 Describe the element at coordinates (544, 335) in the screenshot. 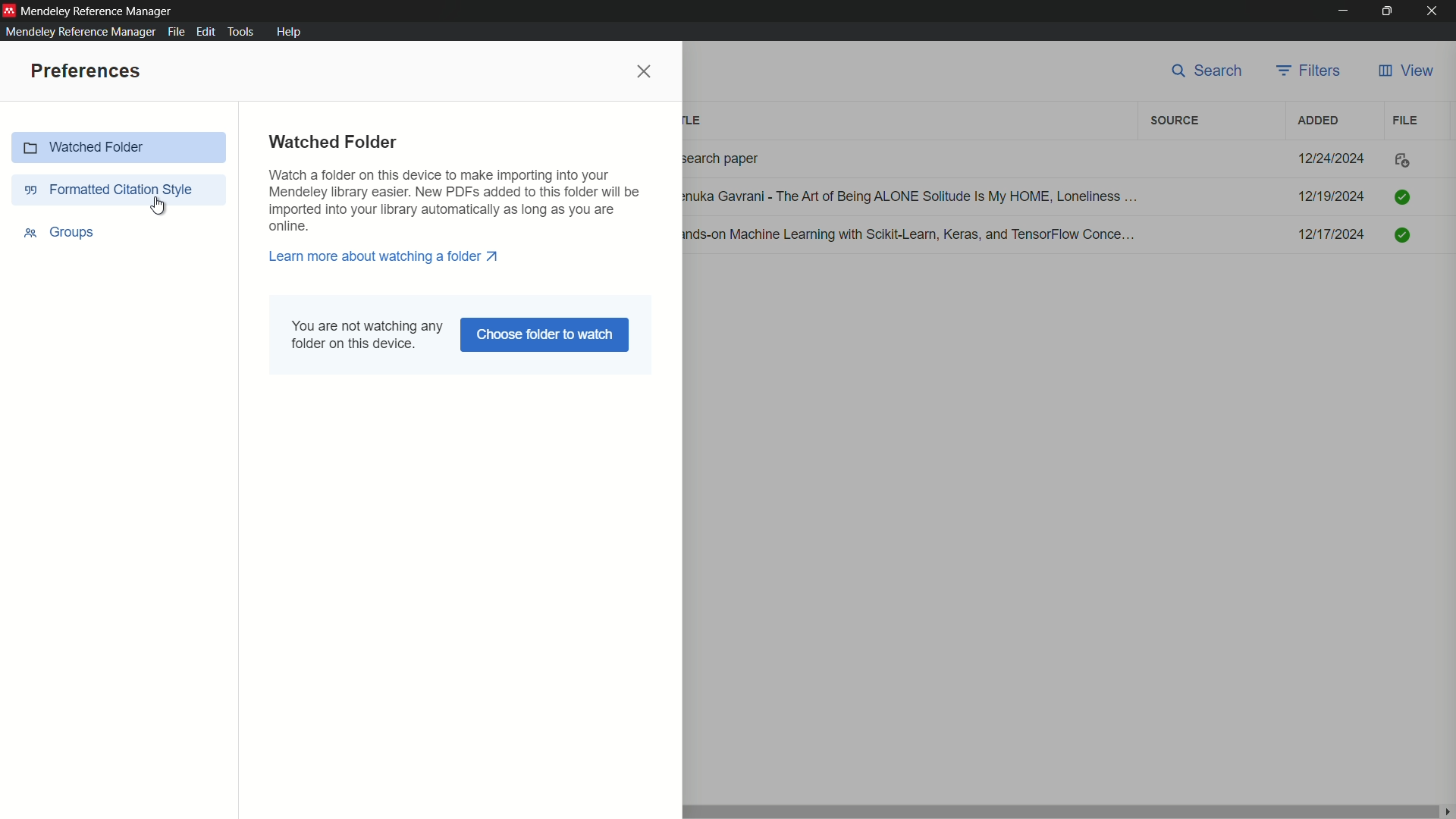

I see `choose folder to watch` at that location.